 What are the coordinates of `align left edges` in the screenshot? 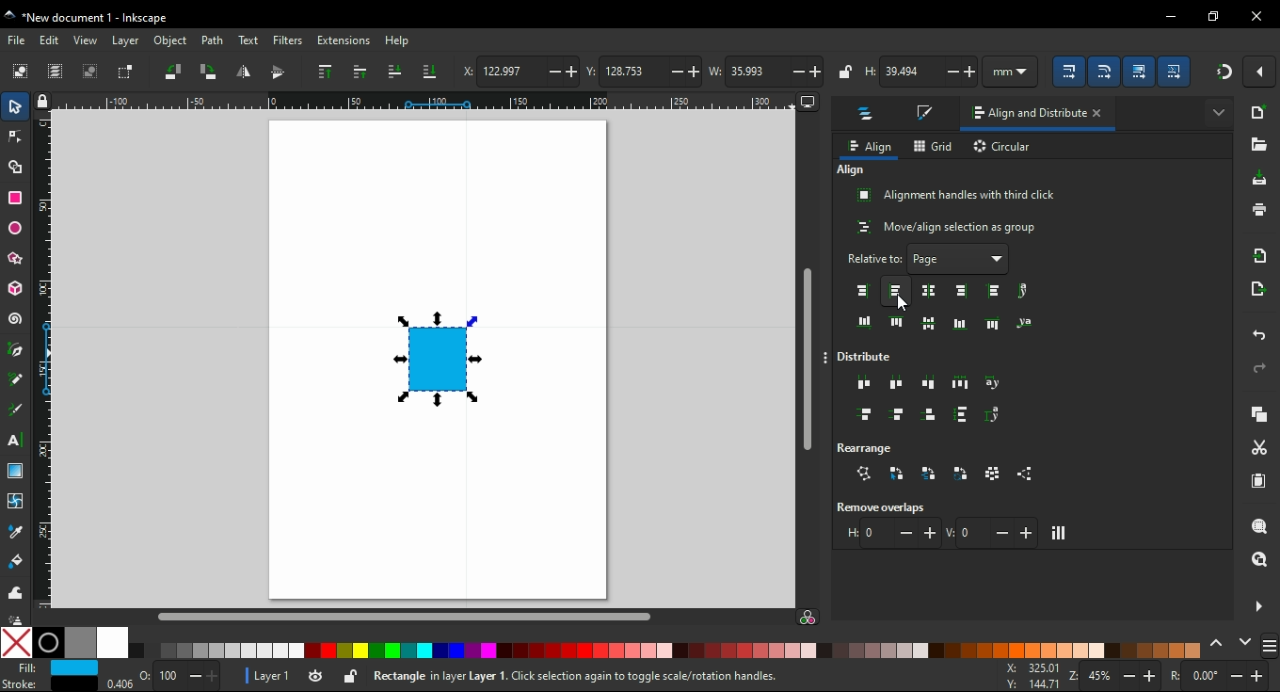 It's located at (897, 290).